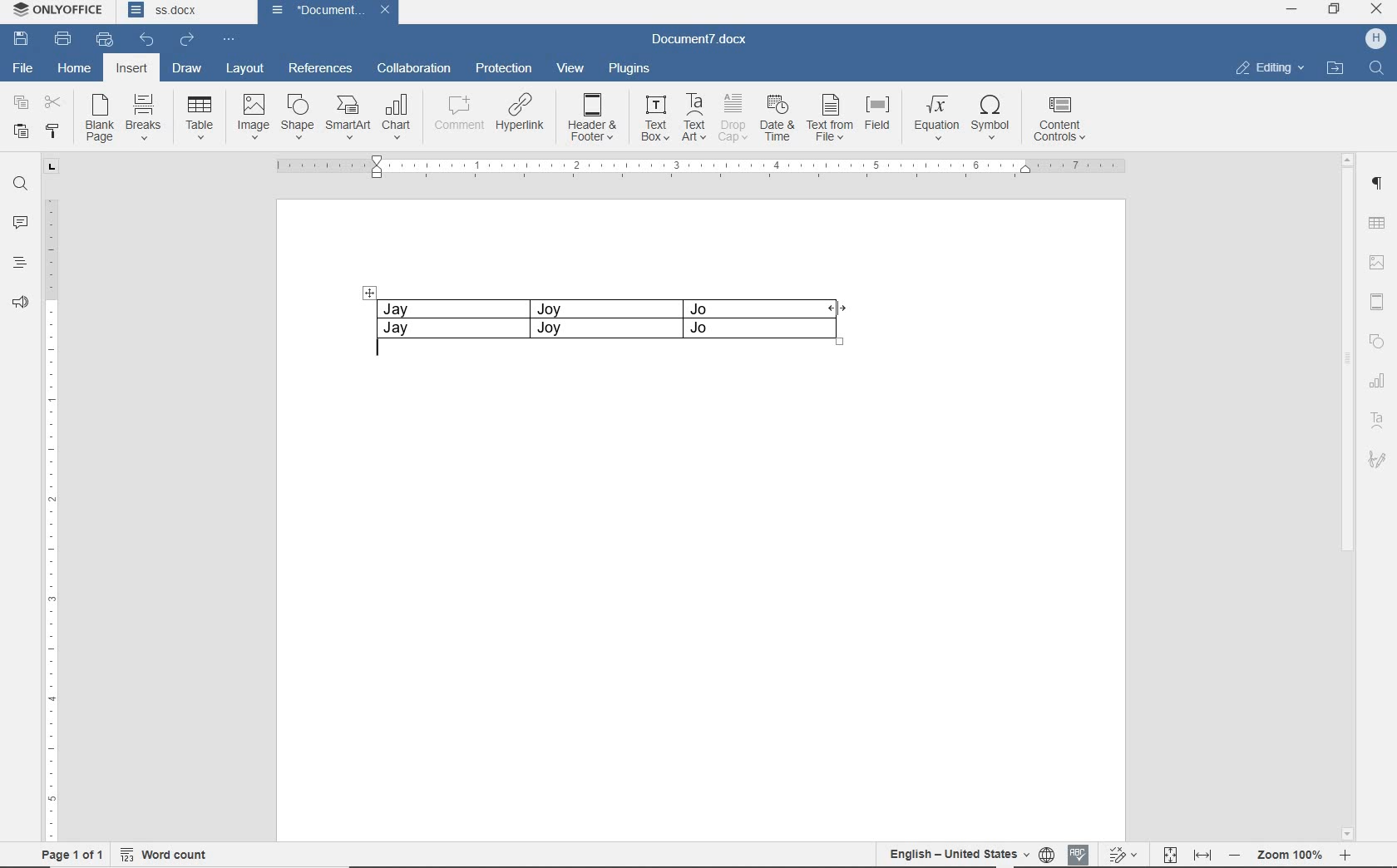 The width and height of the screenshot is (1397, 868). I want to click on INSERT, so click(133, 70).